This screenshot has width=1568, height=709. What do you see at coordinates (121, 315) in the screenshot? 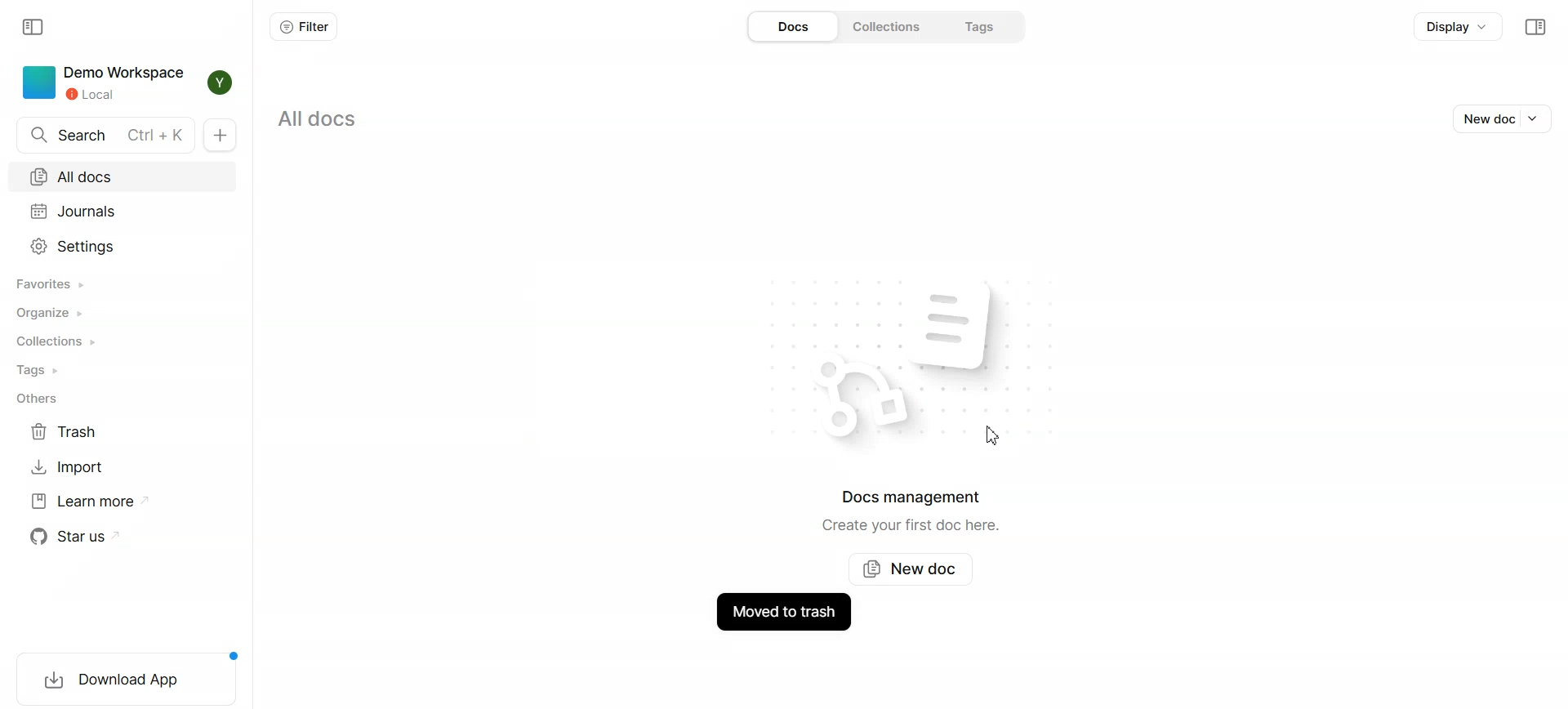
I see `Organize` at bounding box center [121, 315].